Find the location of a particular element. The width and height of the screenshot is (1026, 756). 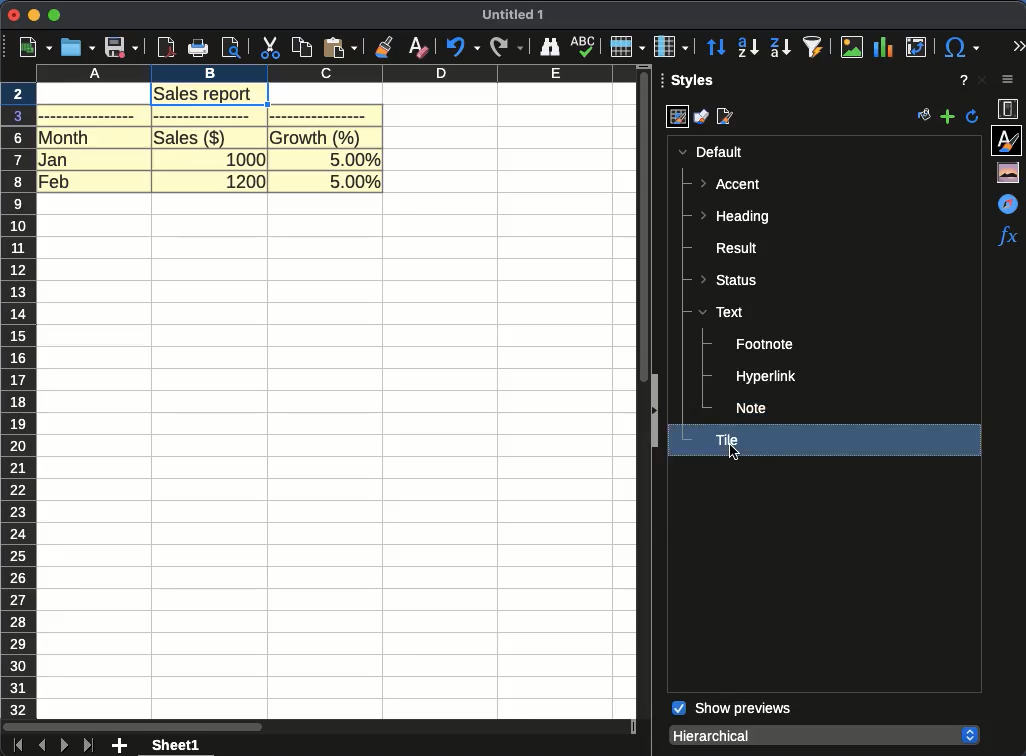

next sheet is located at coordinates (63, 745).